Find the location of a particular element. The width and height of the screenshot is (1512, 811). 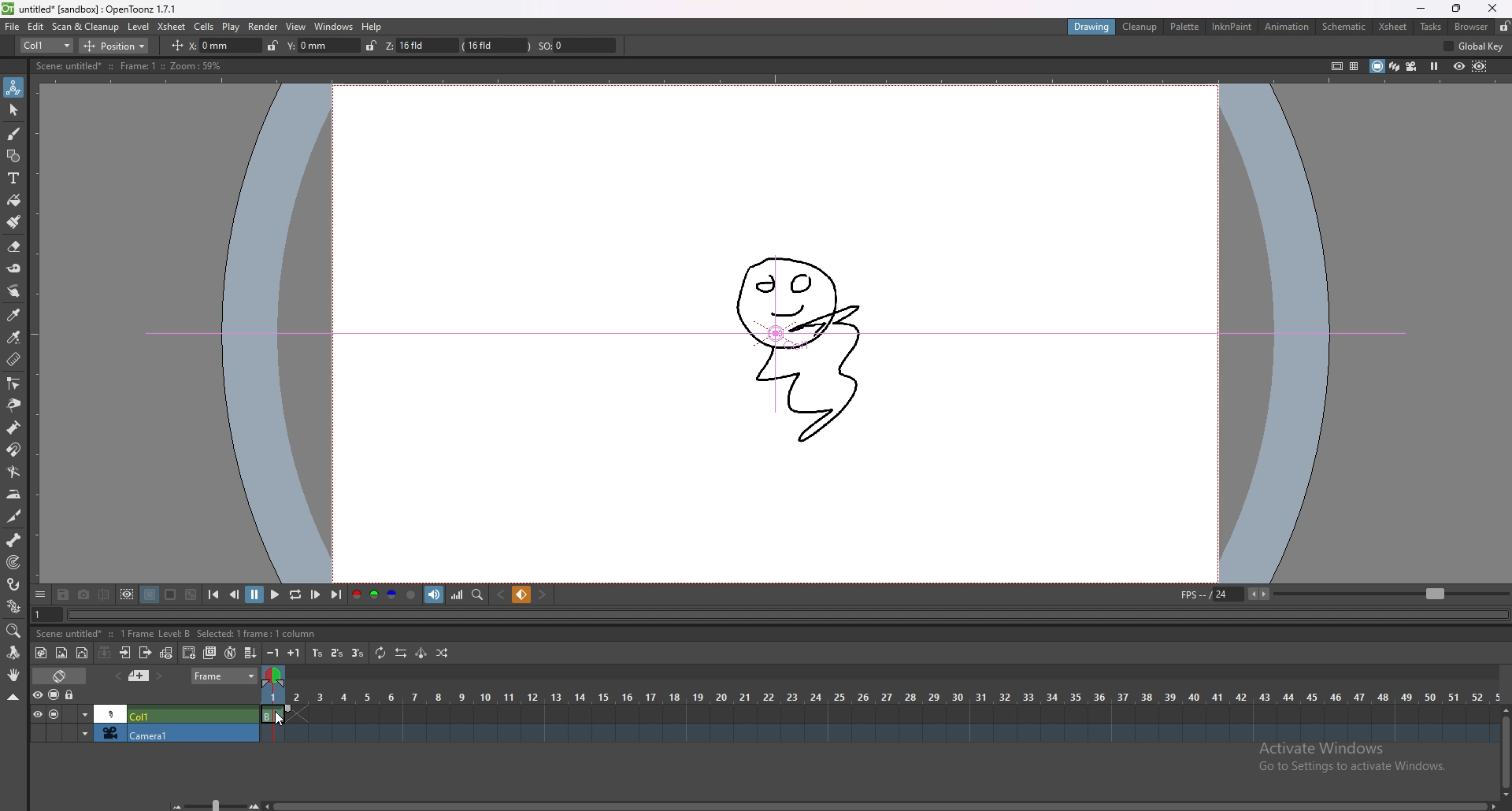

shapes is located at coordinates (13, 156).